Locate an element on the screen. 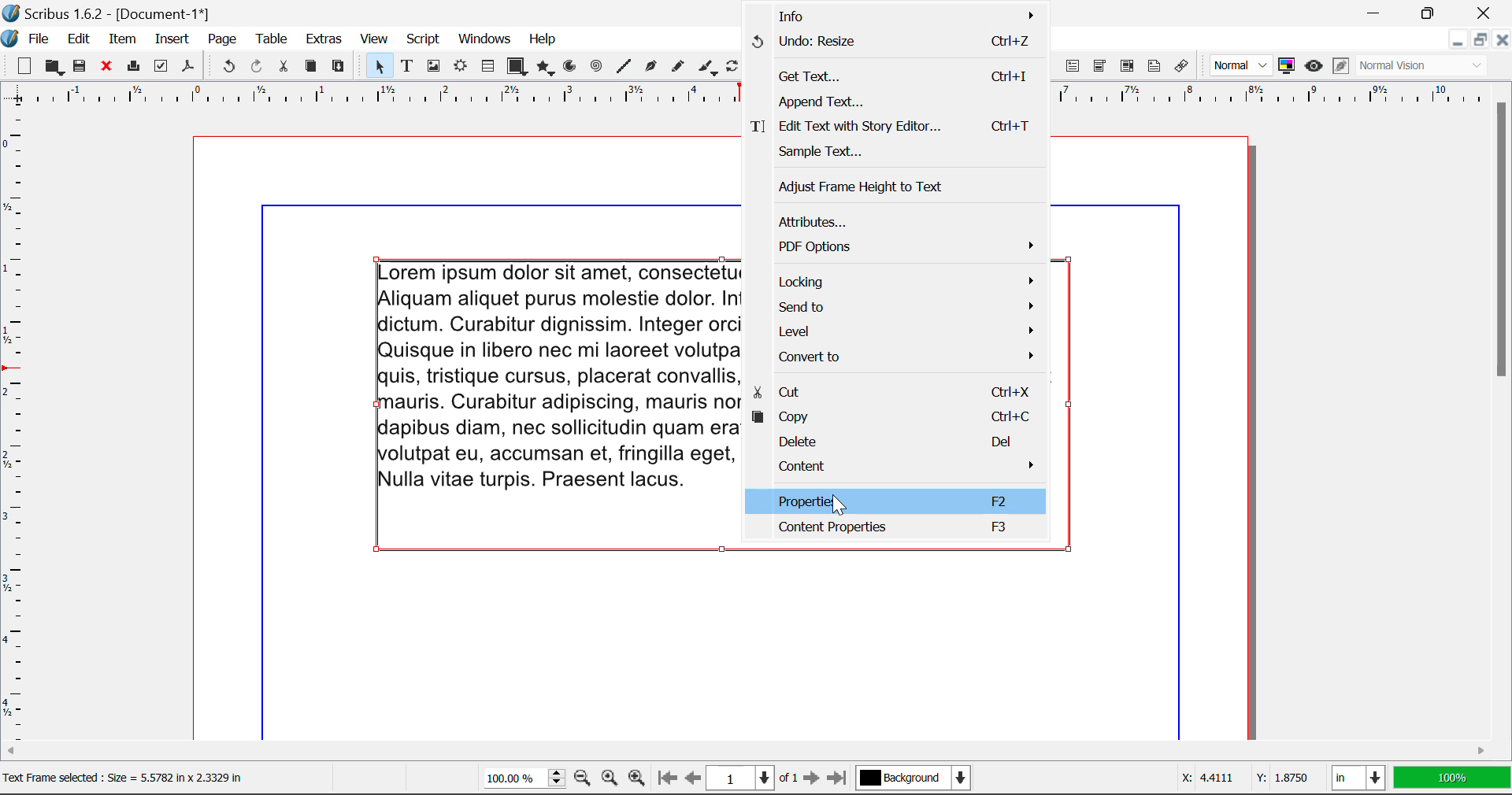 The height and width of the screenshot is (795, 1512). Preview Mode is located at coordinates (1241, 65).